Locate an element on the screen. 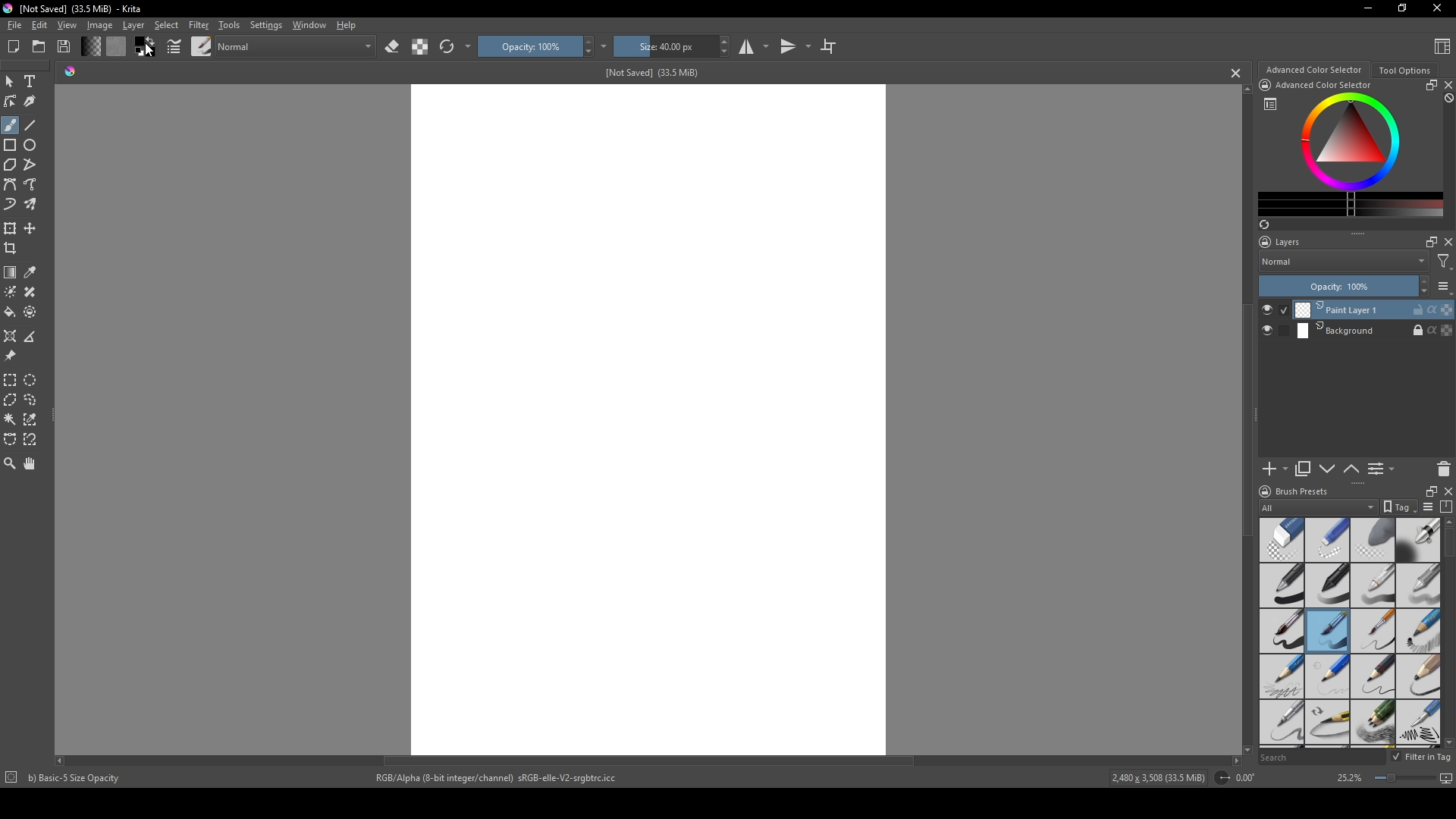  pencil is located at coordinates (1373, 676).